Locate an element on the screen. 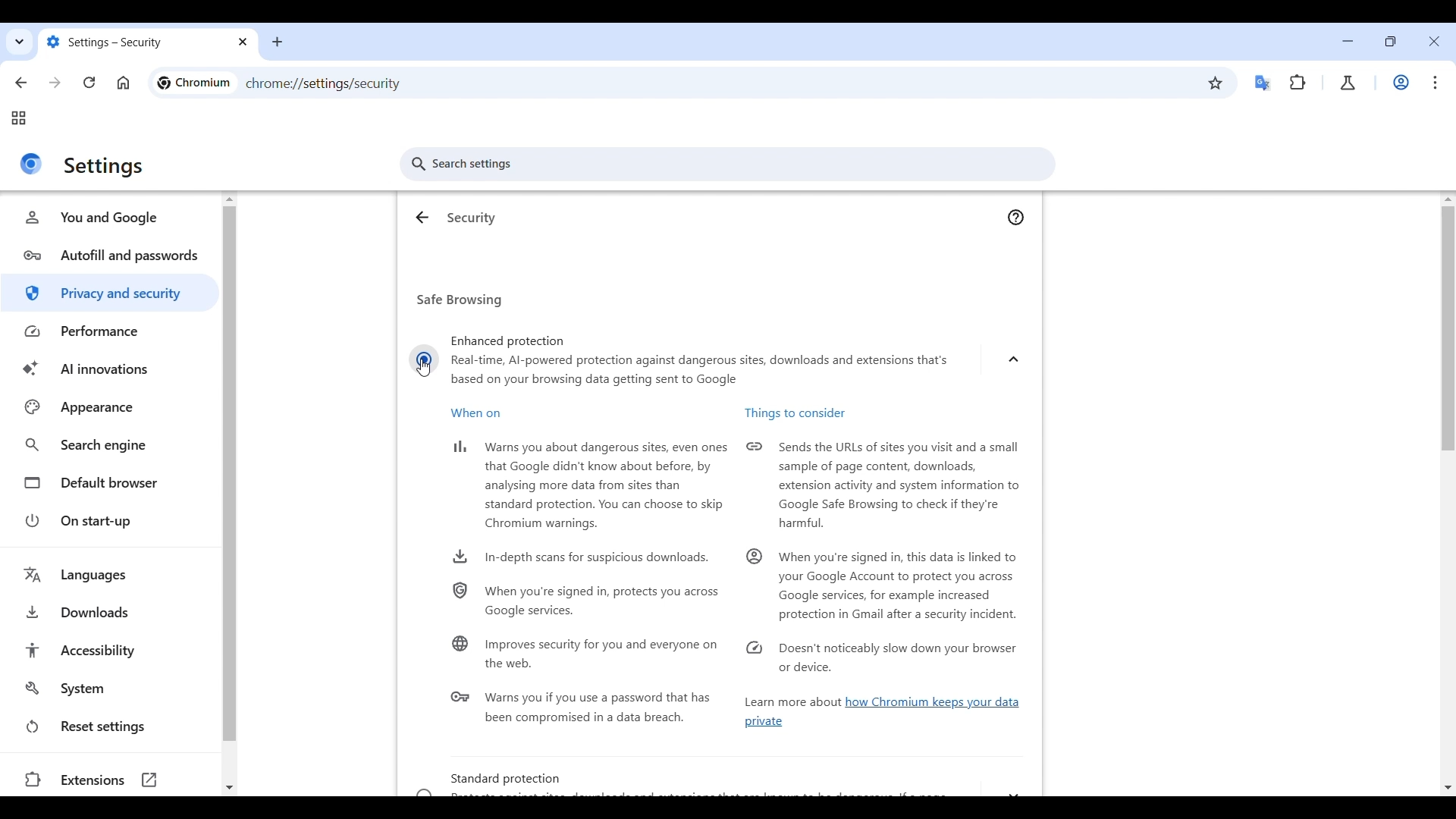 The height and width of the screenshot is (819, 1456). Search settings is located at coordinates (726, 165).